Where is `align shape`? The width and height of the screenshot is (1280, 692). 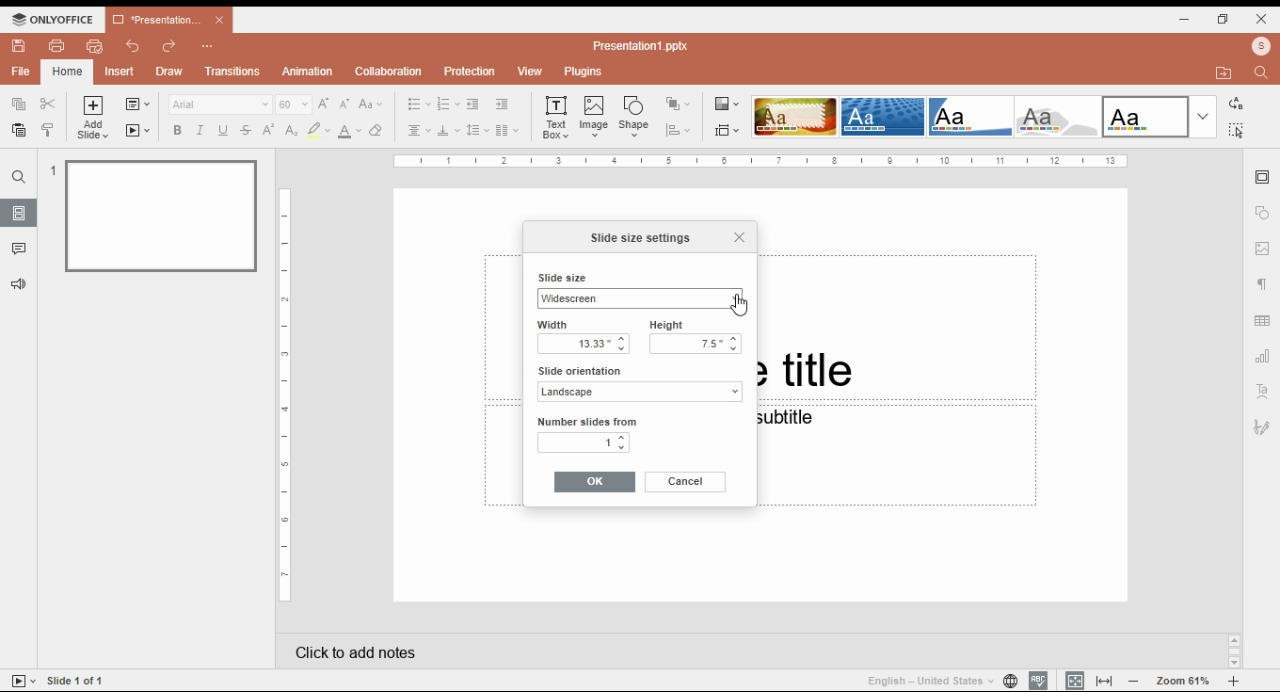 align shape is located at coordinates (680, 130).